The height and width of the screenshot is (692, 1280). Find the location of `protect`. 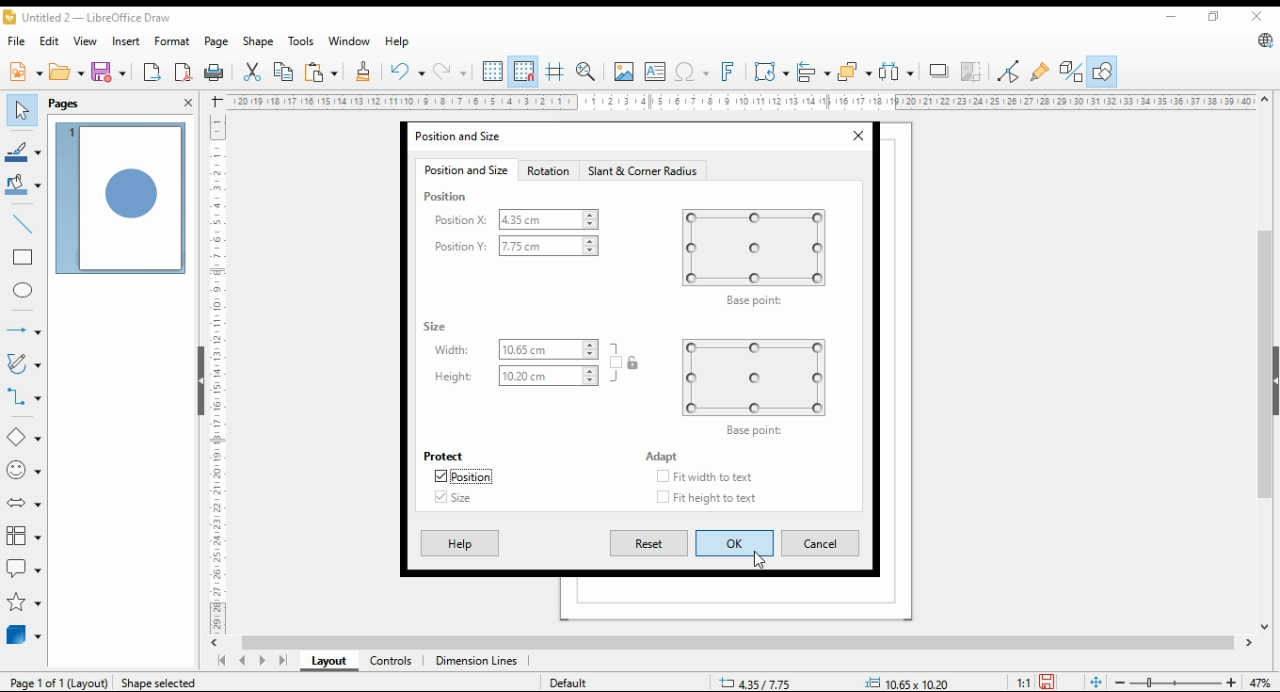

protect is located at coordinates (443, 457).